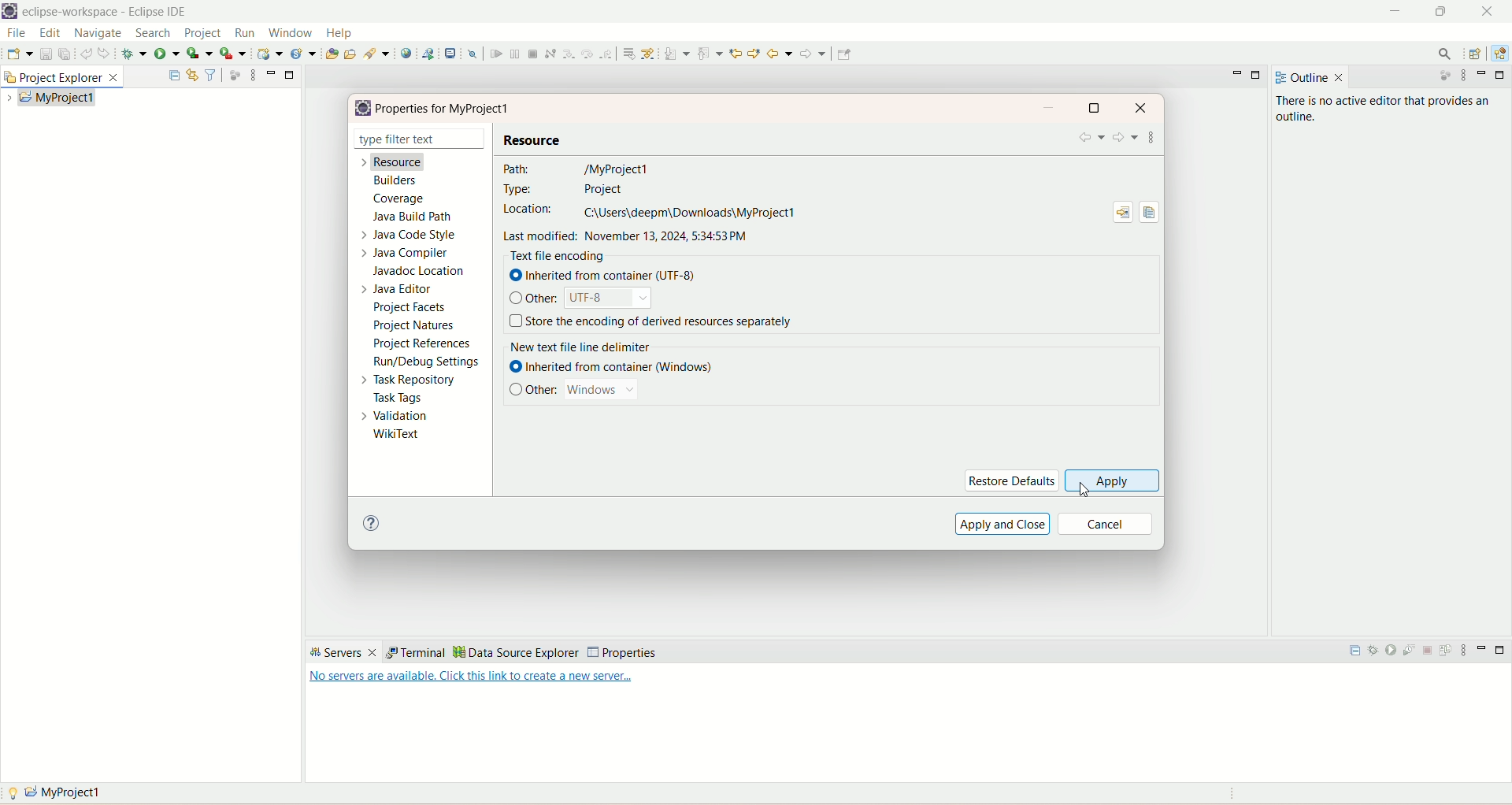 The width and height of the screenshot is (1512, 805). I want to click on run, so click(246, 34).